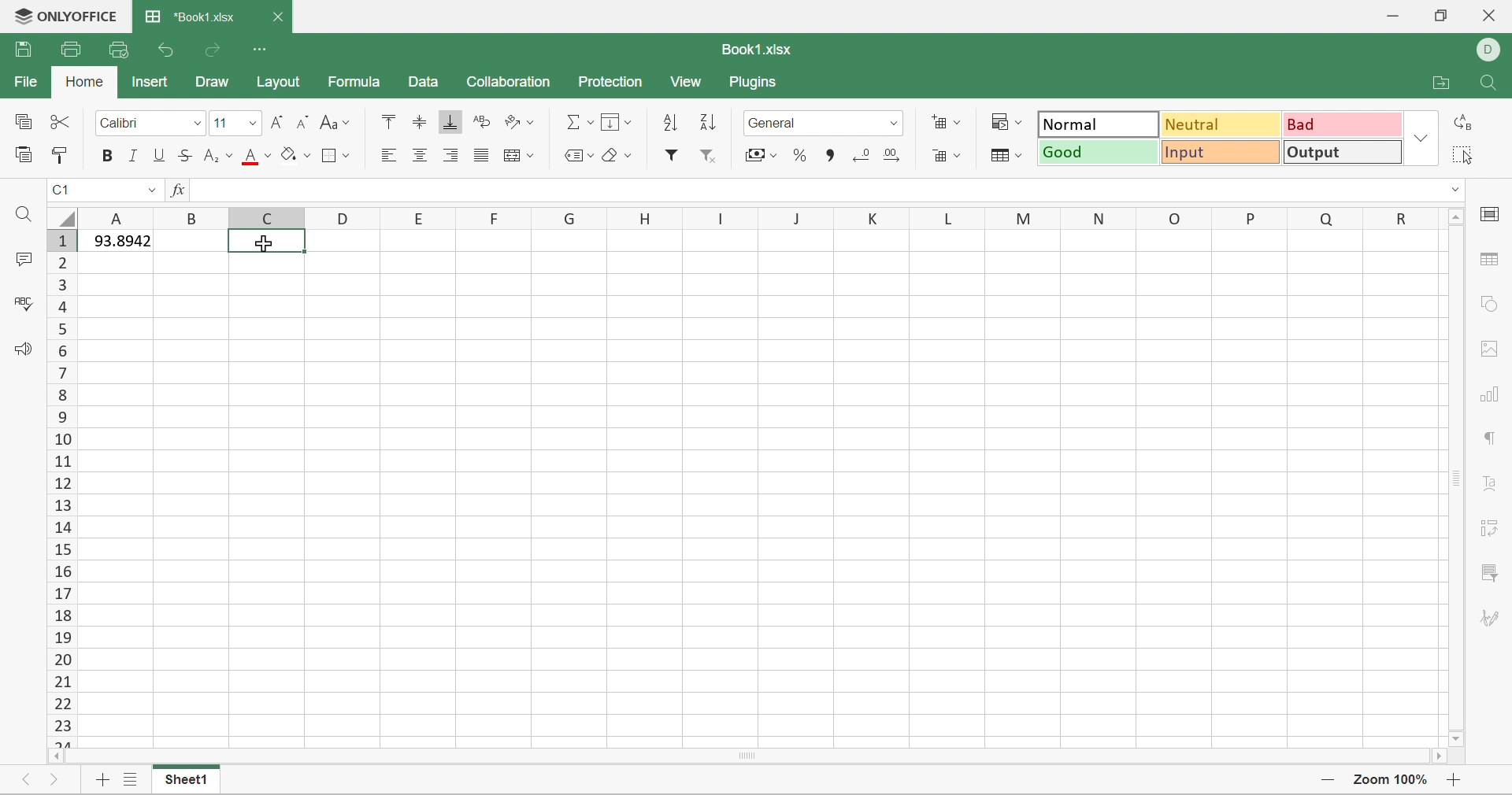 Image resolution: width=1512 pixels, height=795 pixels. I want to click on Align Bottom, so click(450, 122).